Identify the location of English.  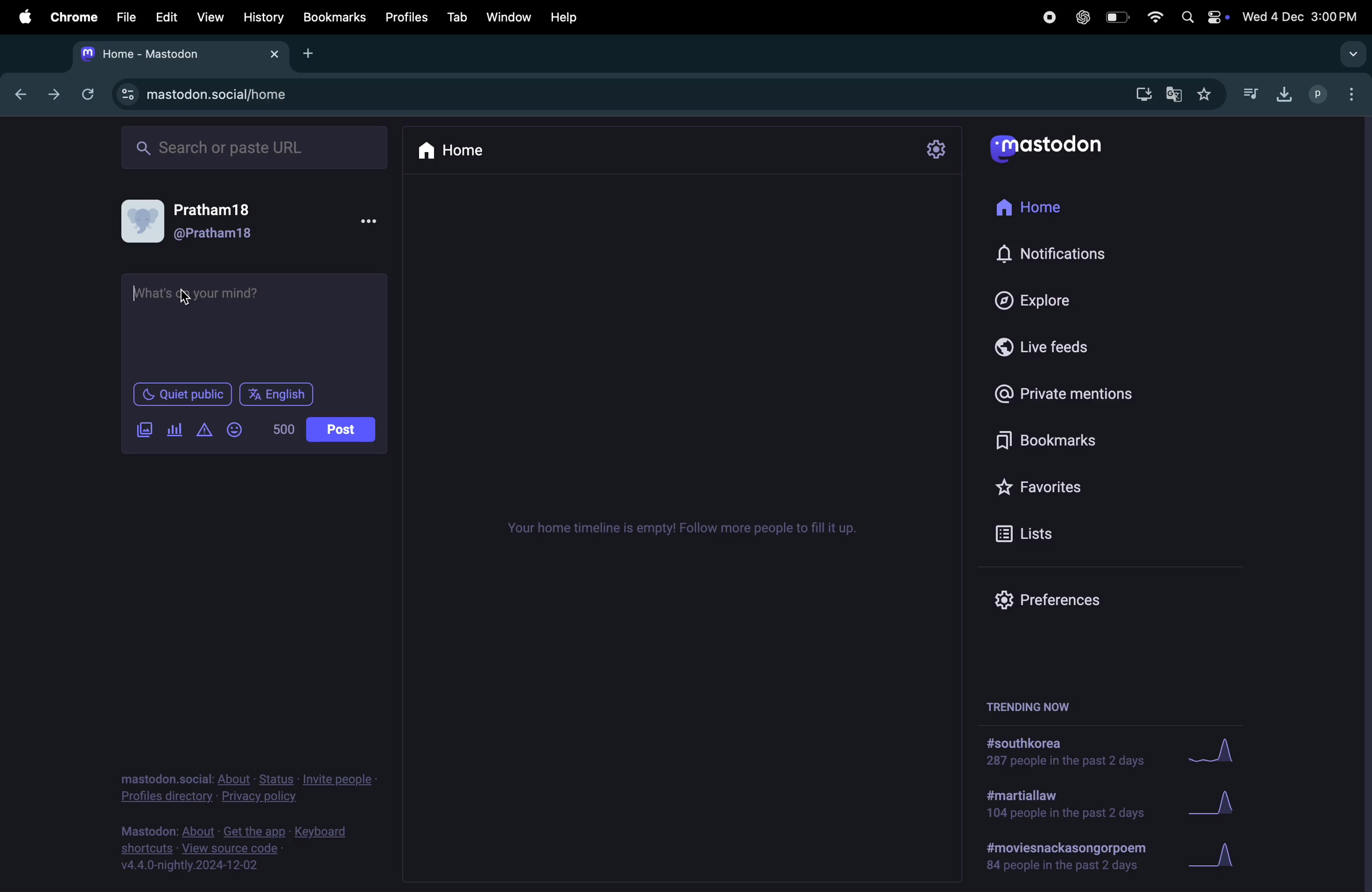
(276, 394).